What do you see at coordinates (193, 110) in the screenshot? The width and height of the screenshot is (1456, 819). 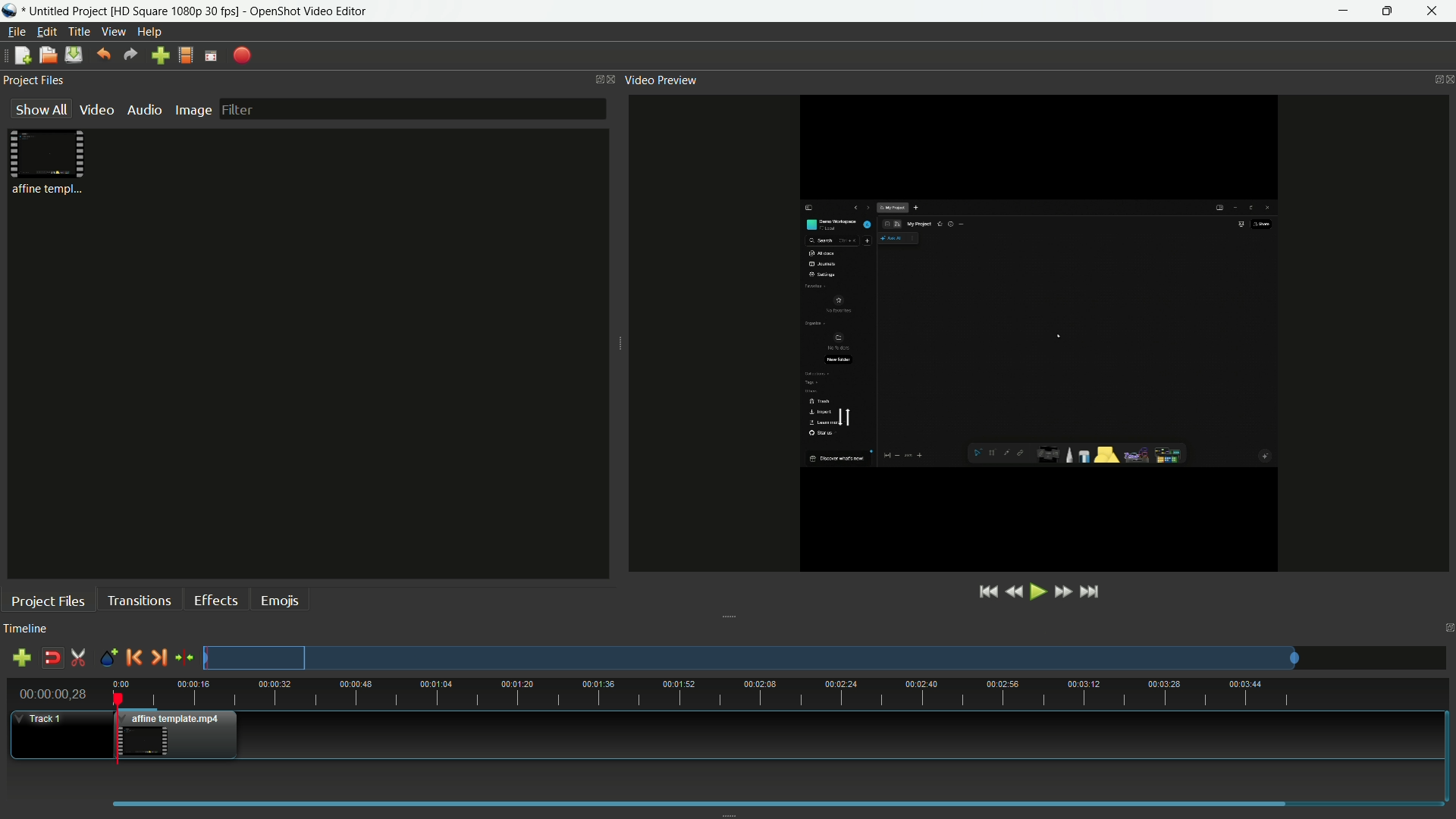 I see `image` at bounding box center [193, 110].